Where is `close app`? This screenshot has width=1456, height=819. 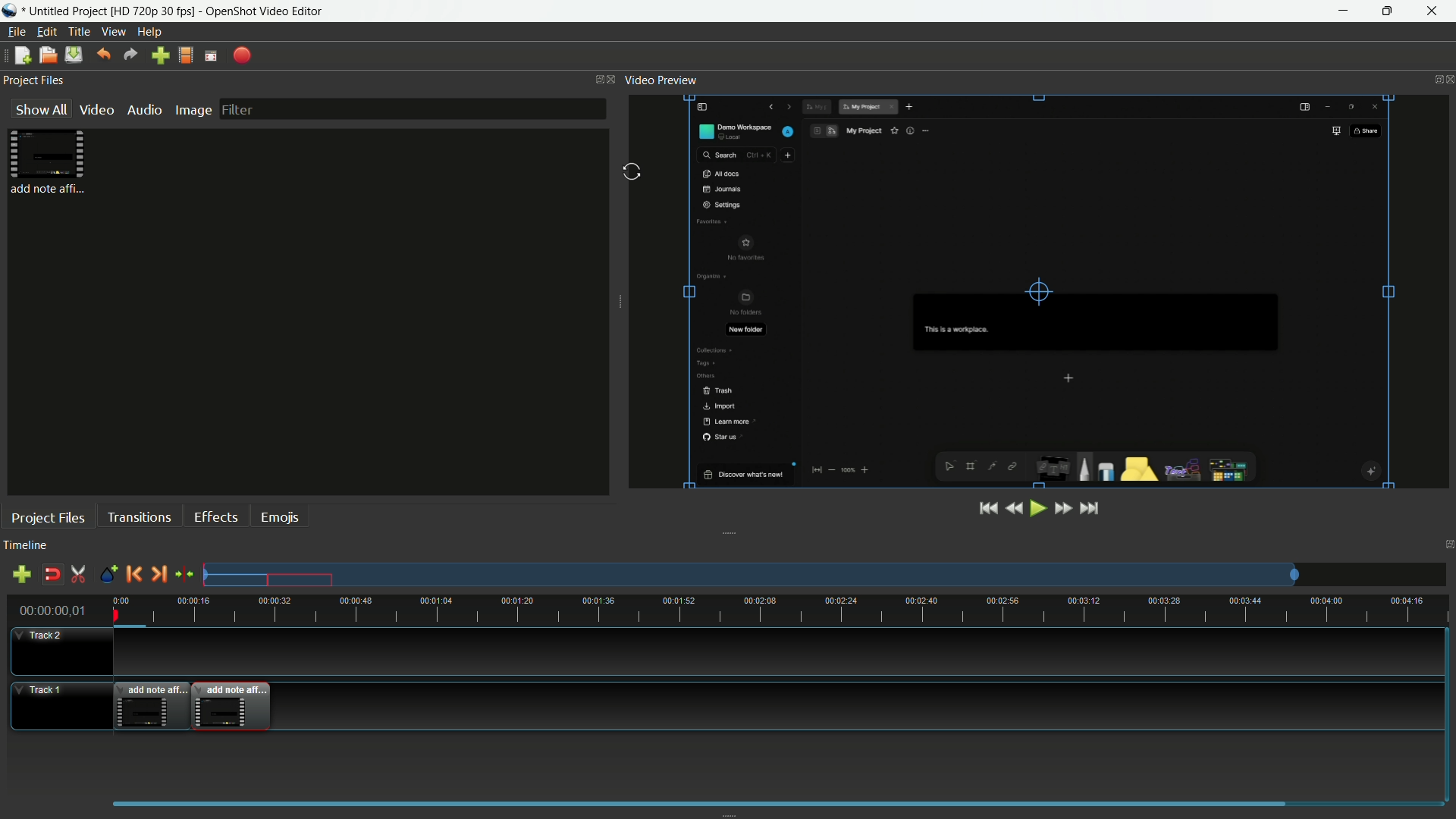
close app is located at coordinates (1434, 11).